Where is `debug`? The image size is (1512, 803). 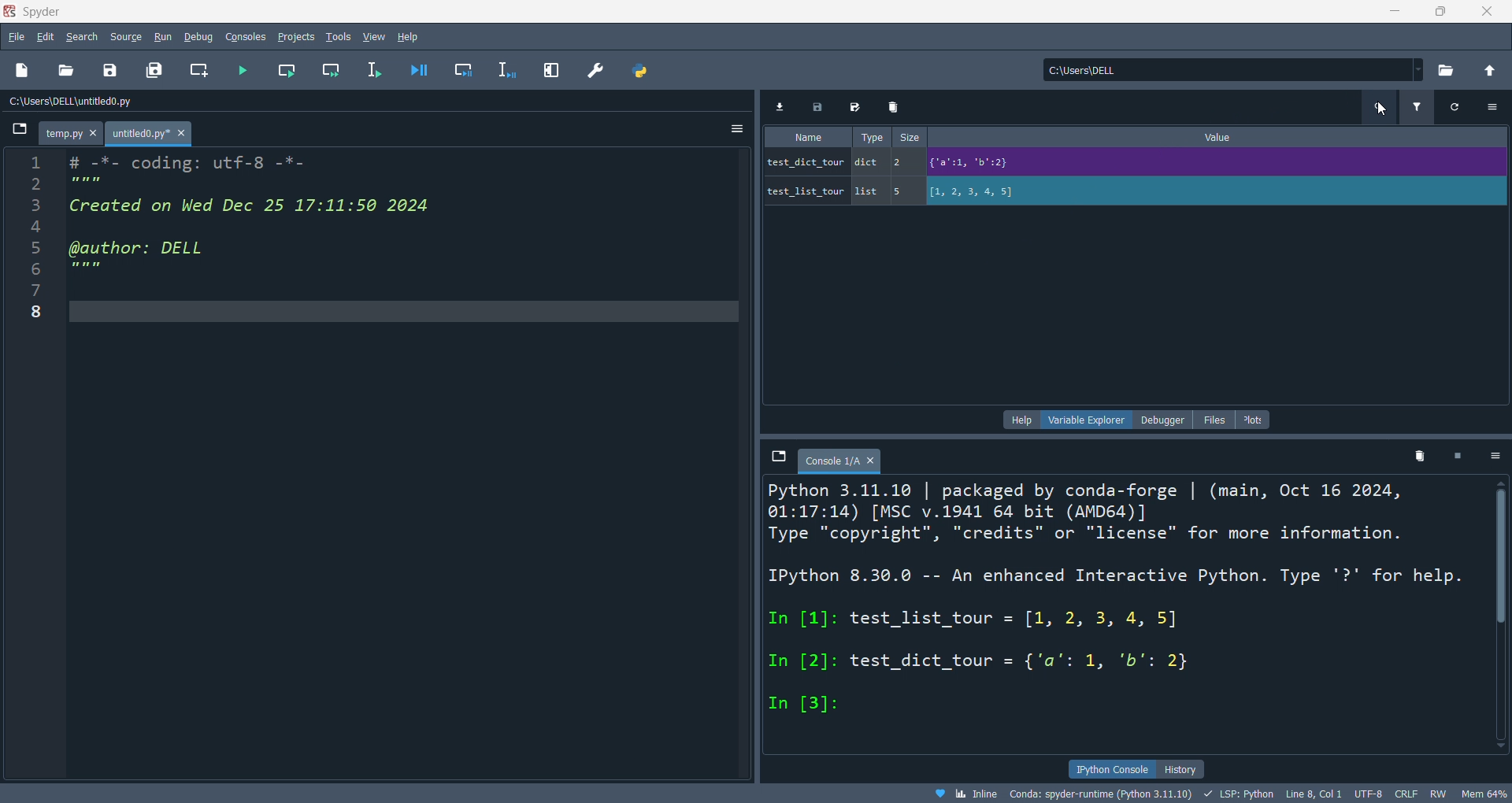 debug is located at coordinates (198, 35).